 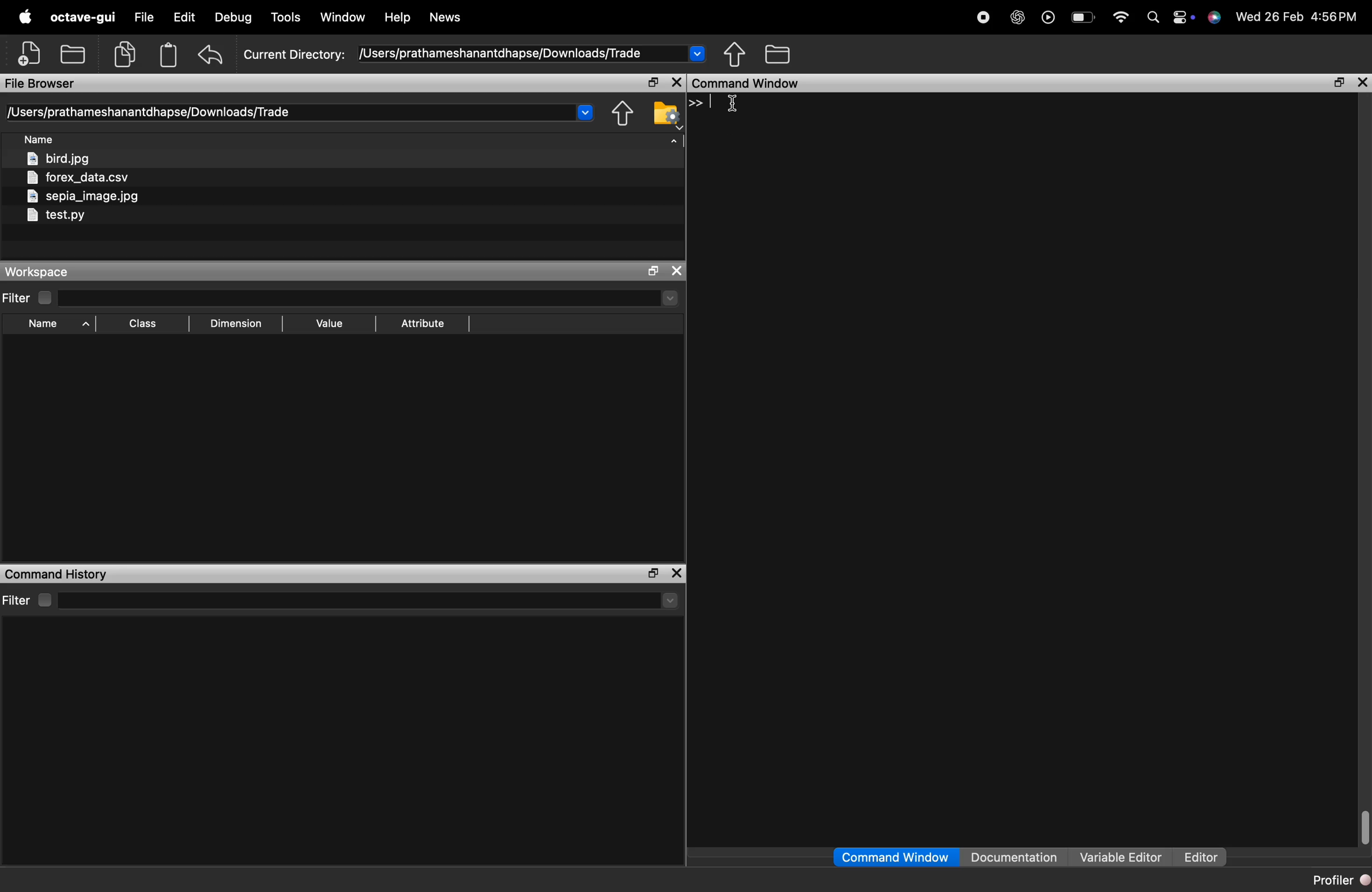 What do you see at coordinates (676, 271) in the screenshot?
I see `close` at bounding box center [676, 271].